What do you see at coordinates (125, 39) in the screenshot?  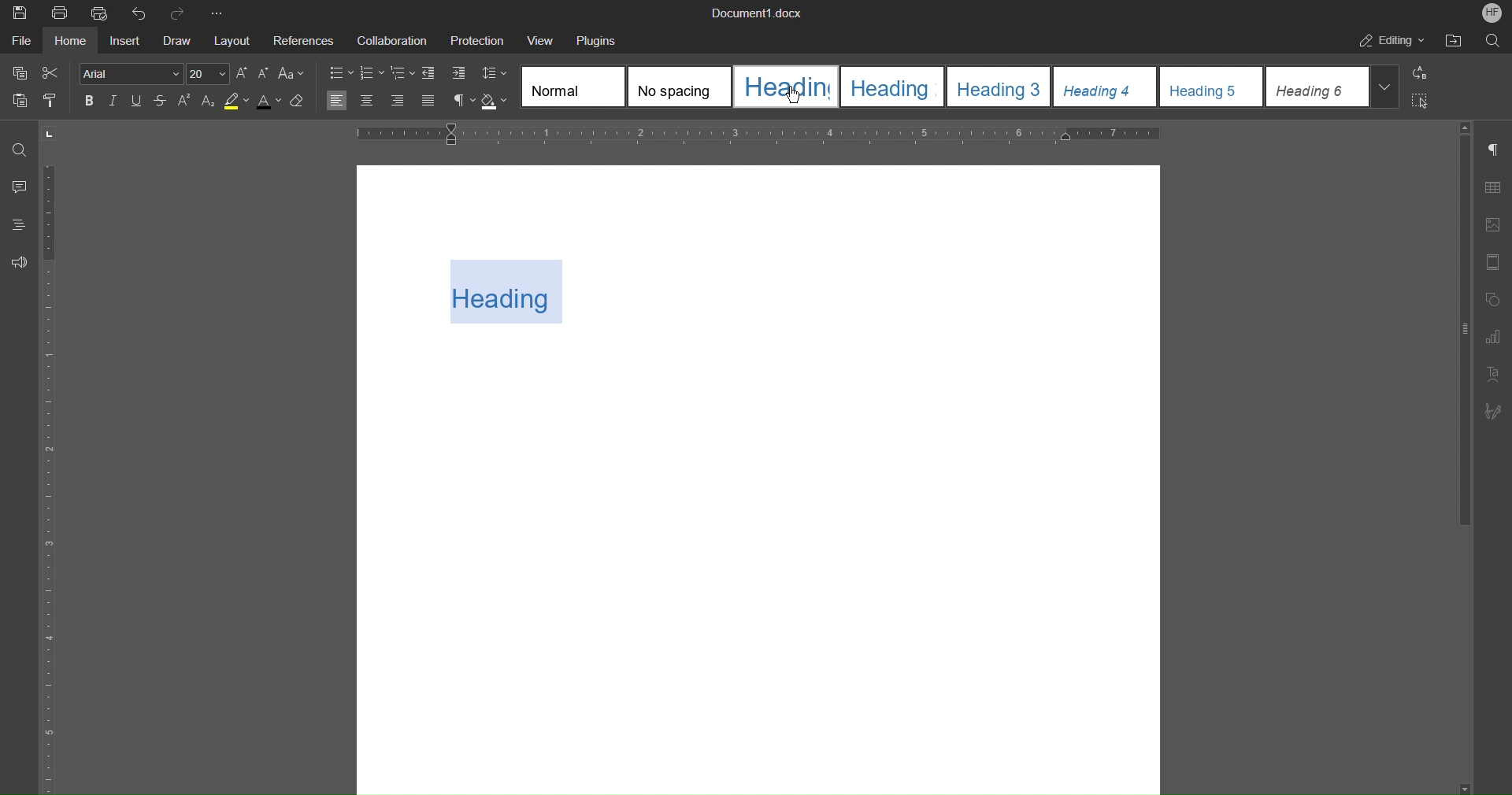 I see `Insert` at bounding box center [125, 39].